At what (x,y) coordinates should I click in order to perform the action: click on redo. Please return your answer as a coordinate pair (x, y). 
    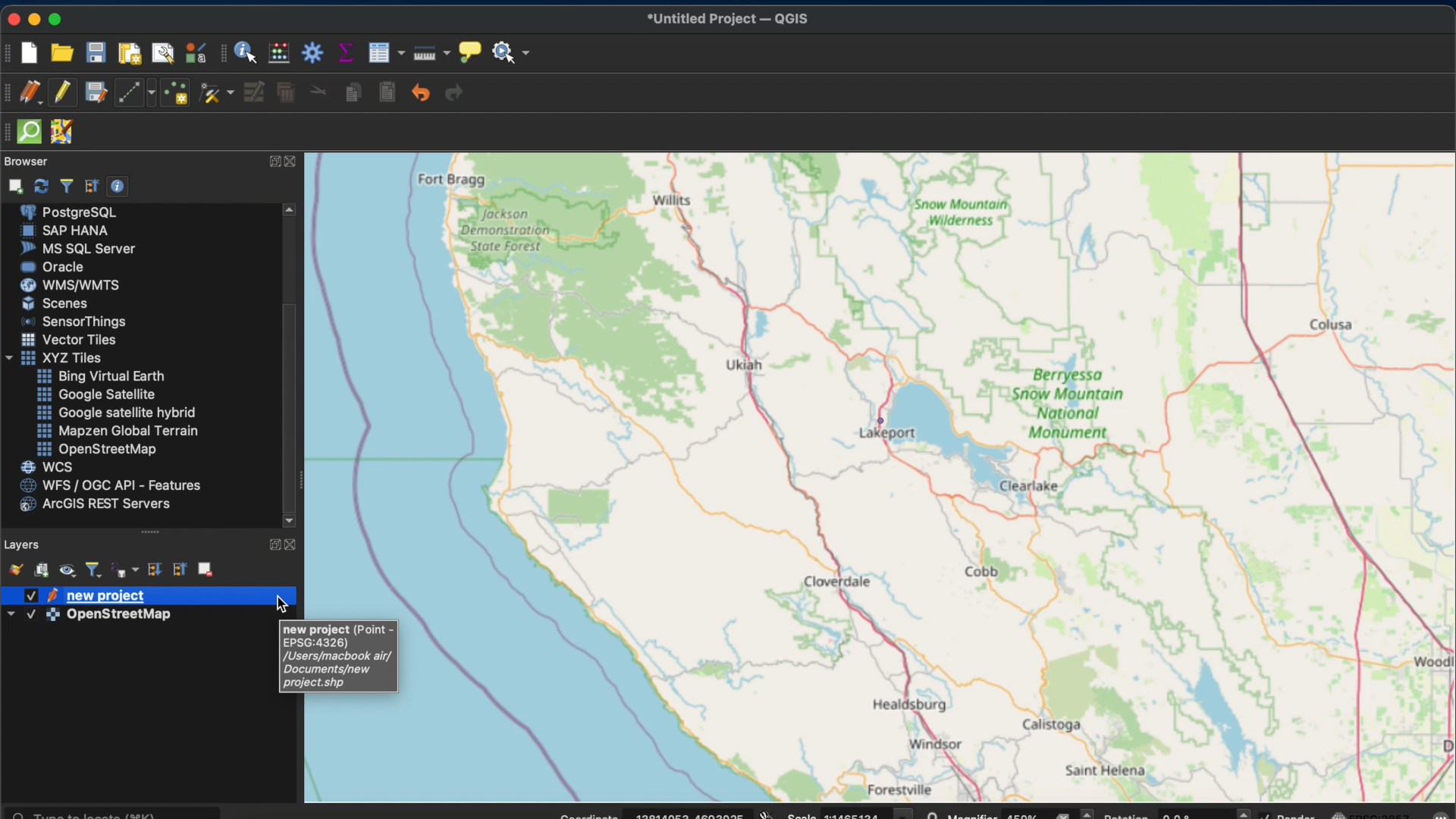
    Looking at the image, I should click on (453, 92).